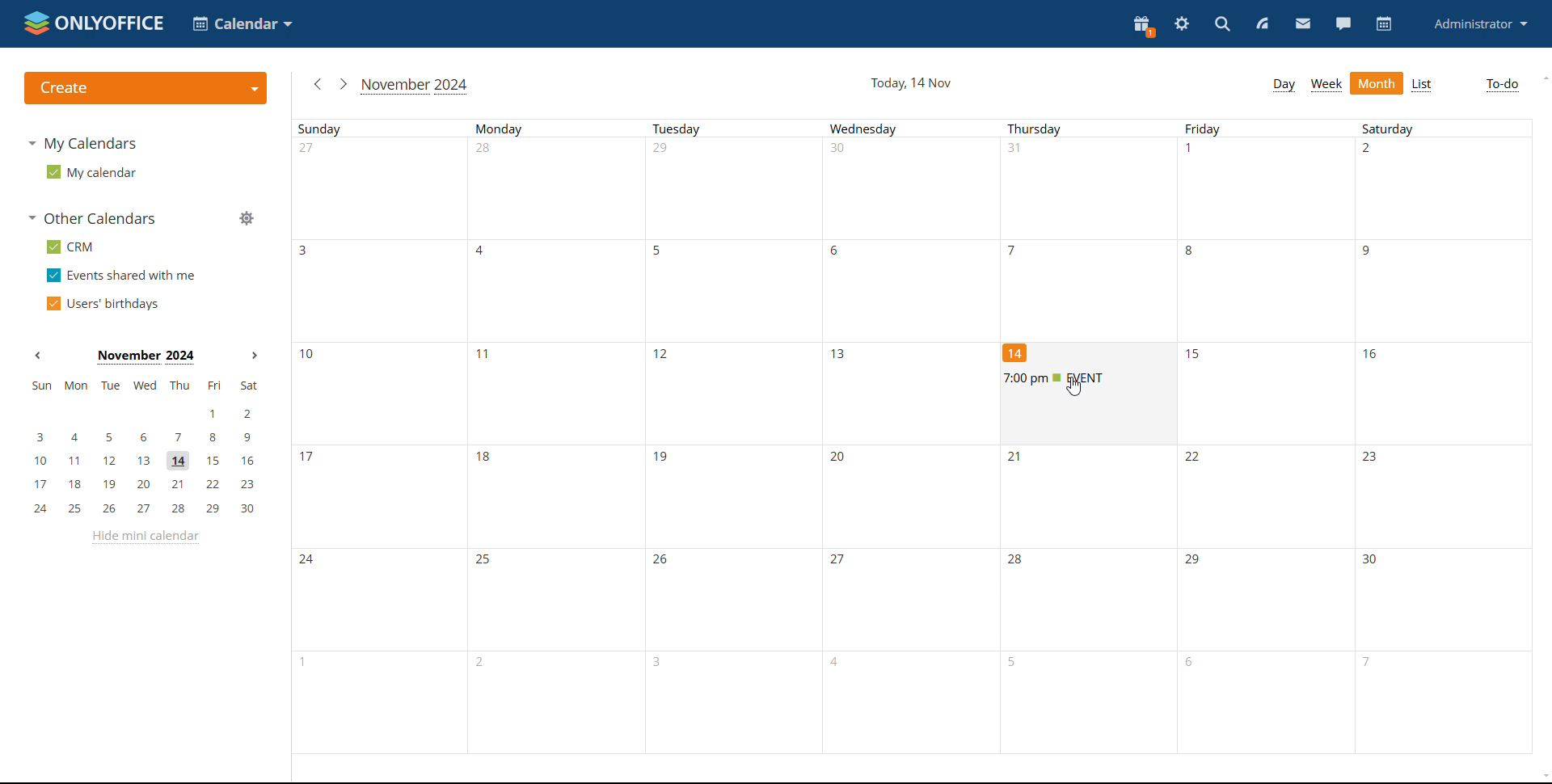 The width and height of the screenshot is (1552, 784). What do you see at coordinates (38, 355) in the screenshot?
I see `previous month` at bounding box center [38, 355].